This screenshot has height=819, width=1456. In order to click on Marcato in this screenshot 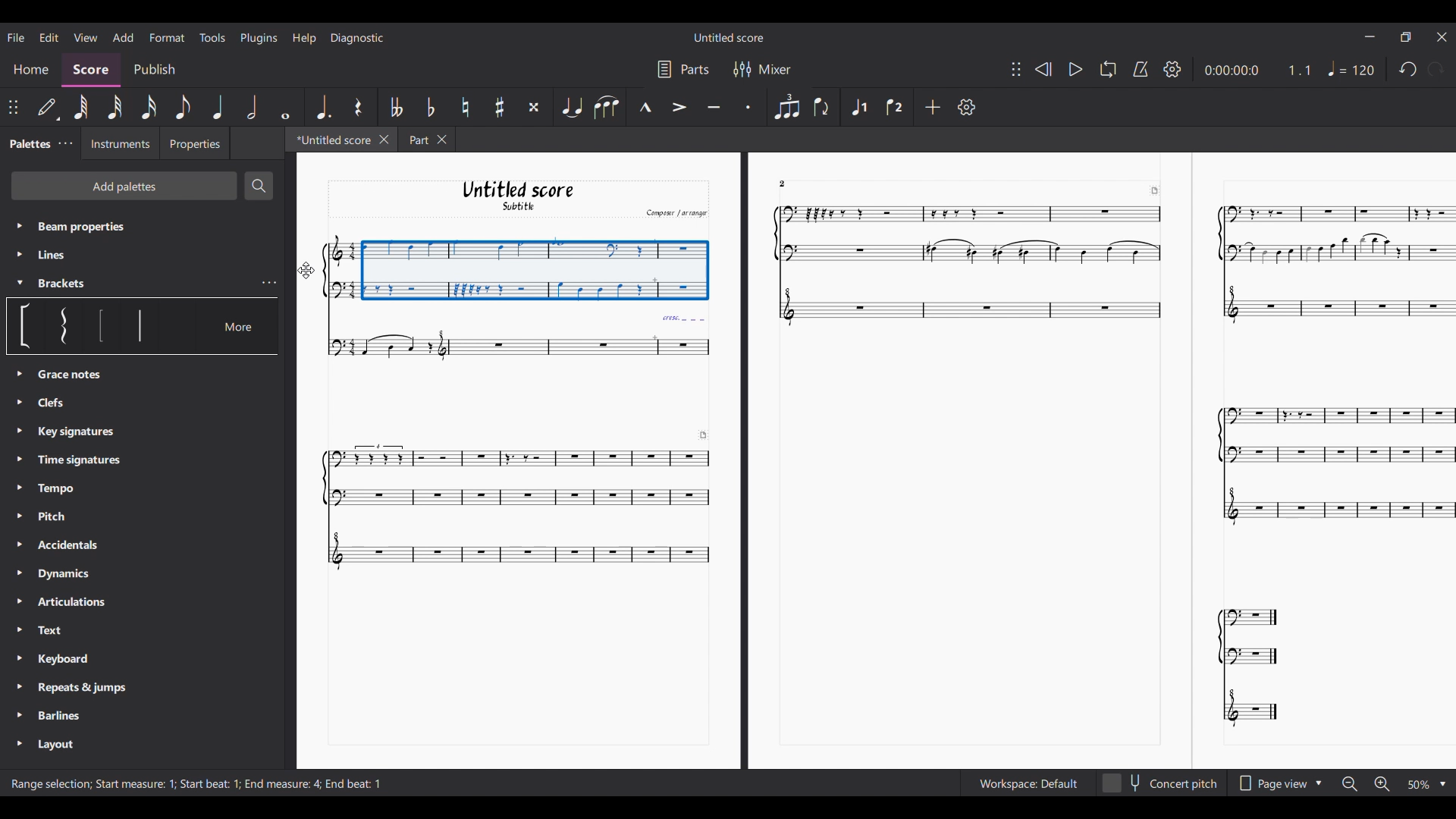, I will do `click(645, 107)`.